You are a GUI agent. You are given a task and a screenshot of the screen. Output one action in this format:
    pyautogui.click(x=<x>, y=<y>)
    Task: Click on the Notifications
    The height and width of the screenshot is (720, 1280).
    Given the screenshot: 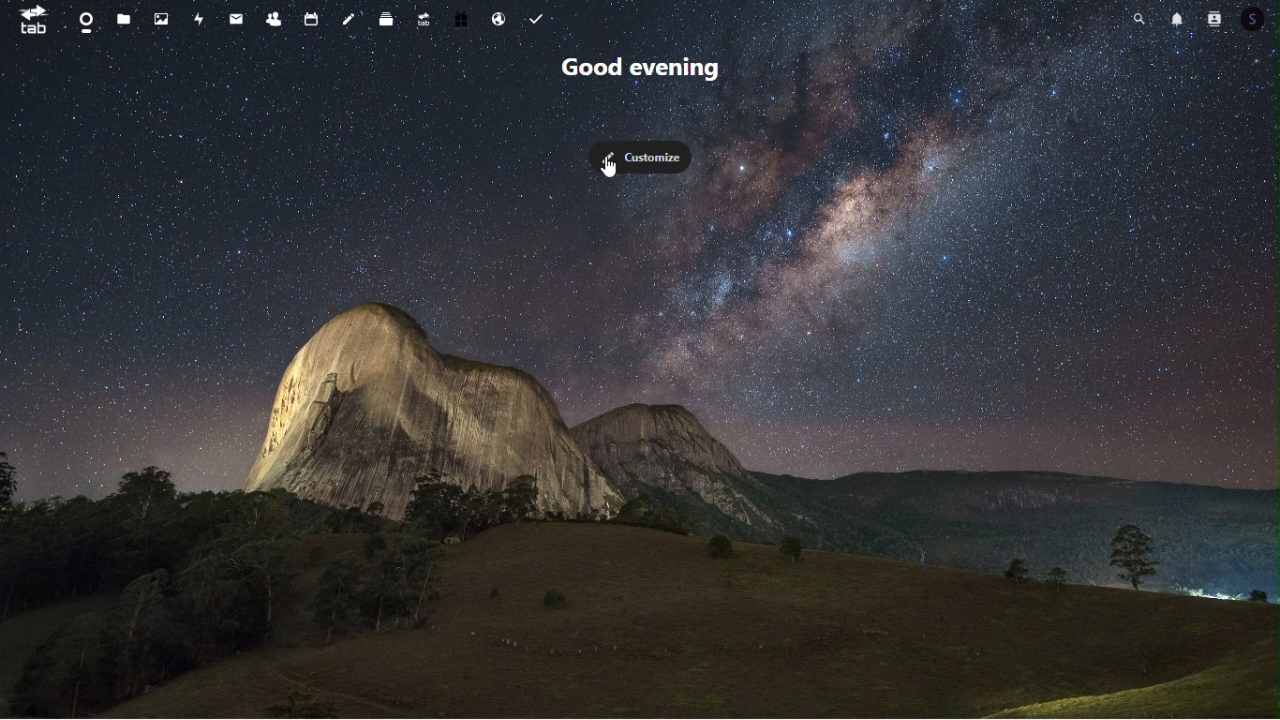 What is the action you would take?
    pyautogui.click(x=1179, y=19)
    